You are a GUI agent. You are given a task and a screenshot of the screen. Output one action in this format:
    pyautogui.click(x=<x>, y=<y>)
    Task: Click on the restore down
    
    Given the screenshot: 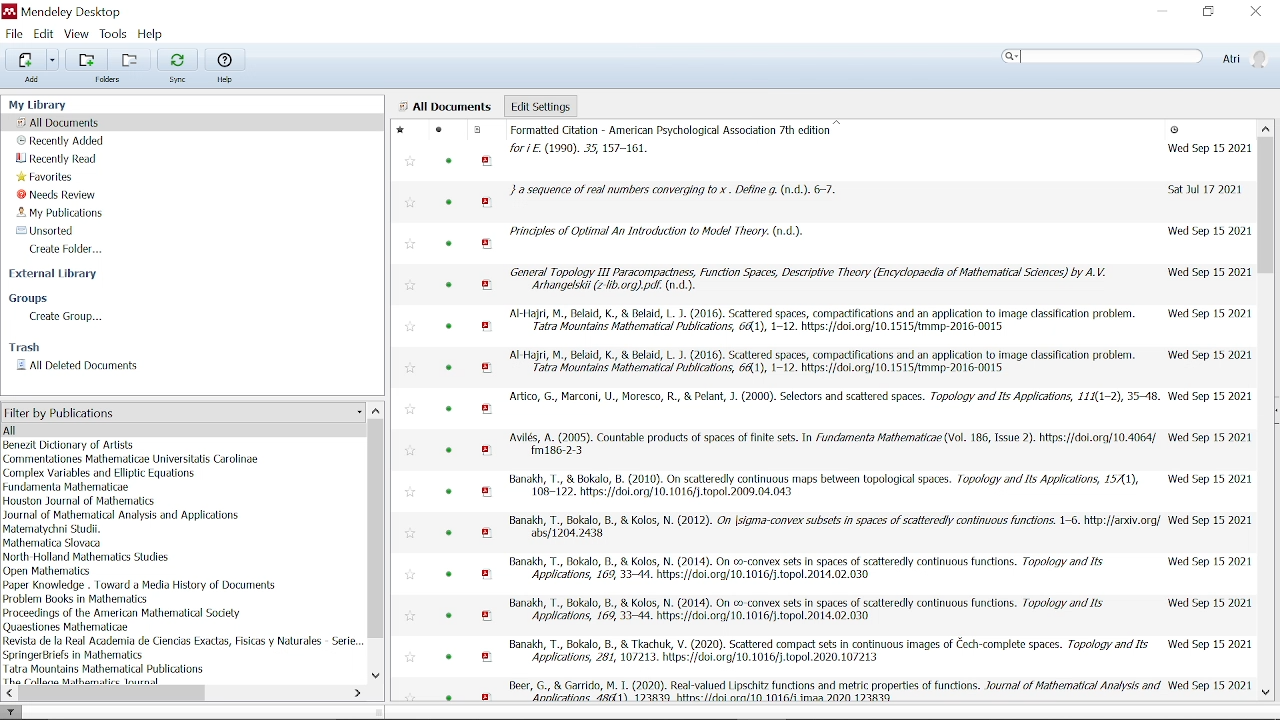 What is the action you would take?
    pyautogui.click(x=1208, y=12)
    